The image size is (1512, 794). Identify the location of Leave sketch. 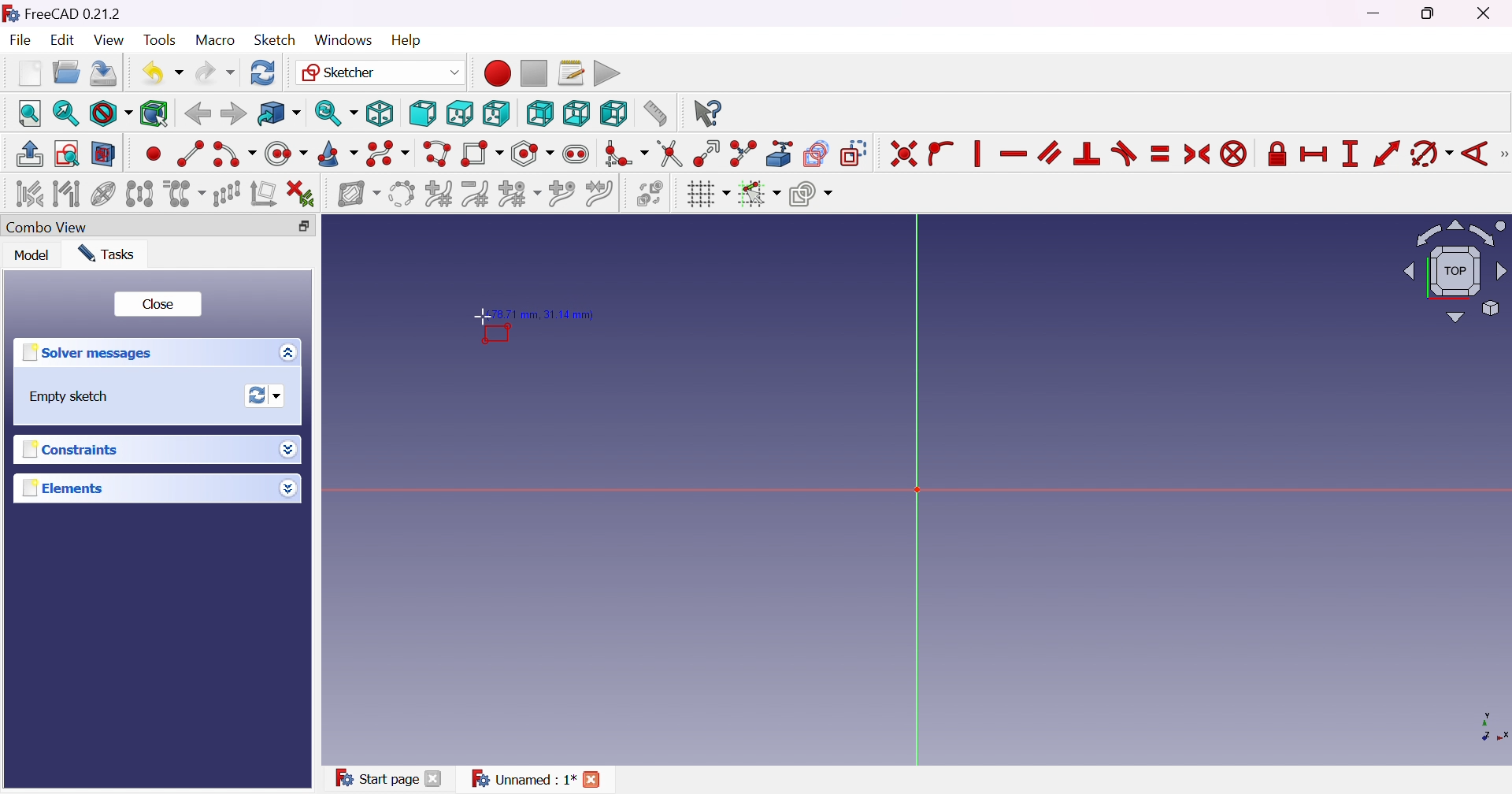
(31, 154).